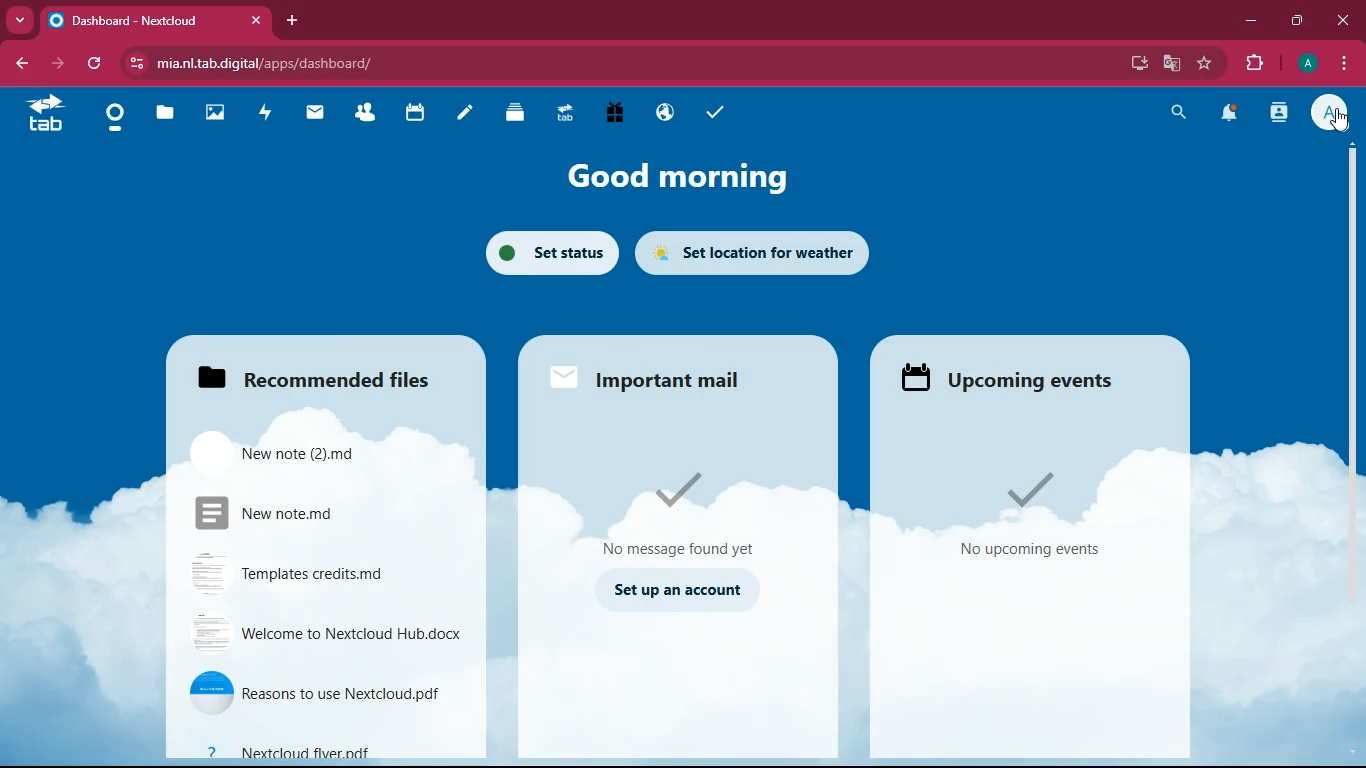 The height and width of the screenshot is (768, 1366). Describe the element at coordinates (53, 112) in the screenshot. I see `tab` at that location.